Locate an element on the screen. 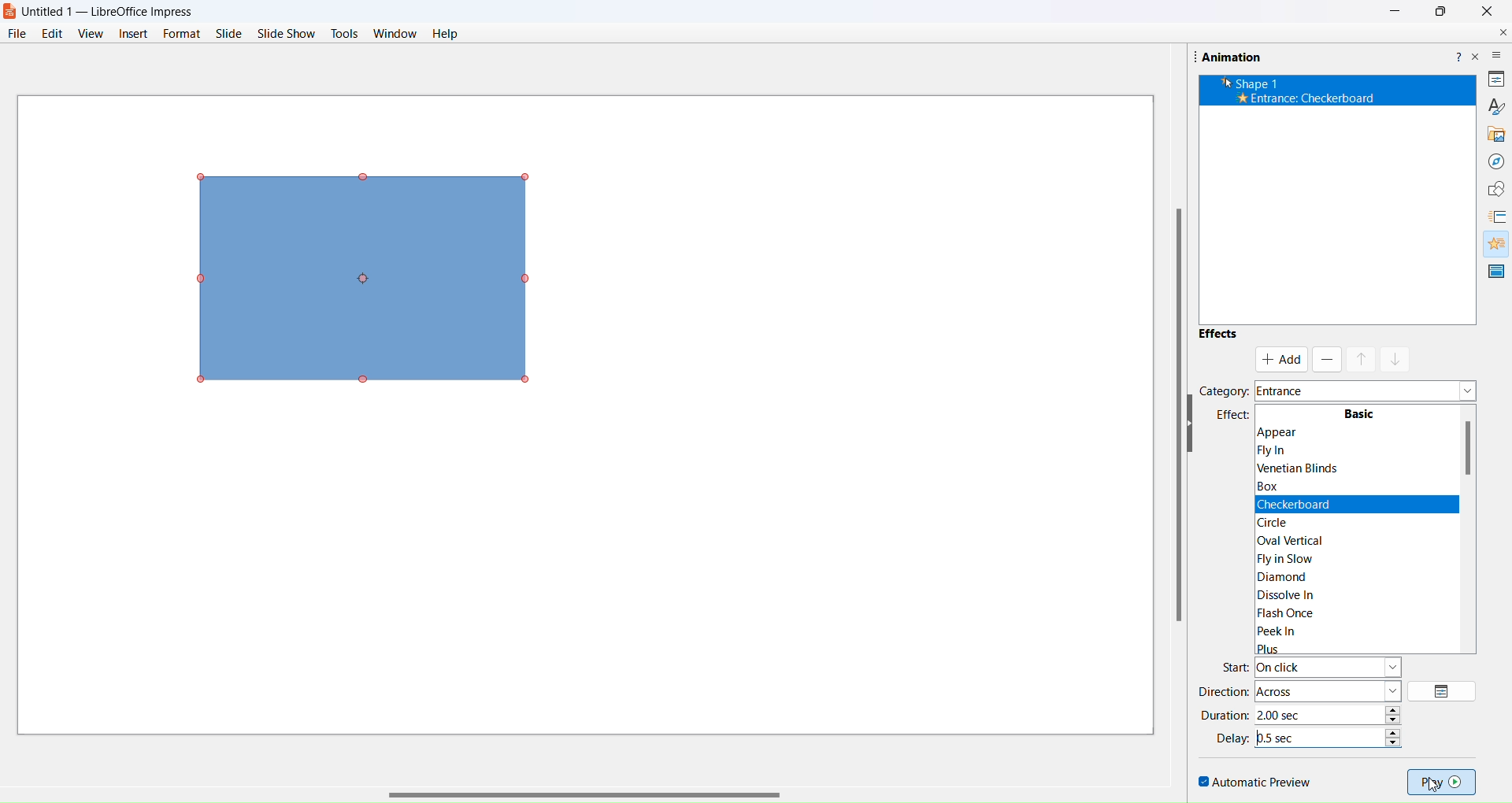  scroll bar is located at coordinates (584, 787).